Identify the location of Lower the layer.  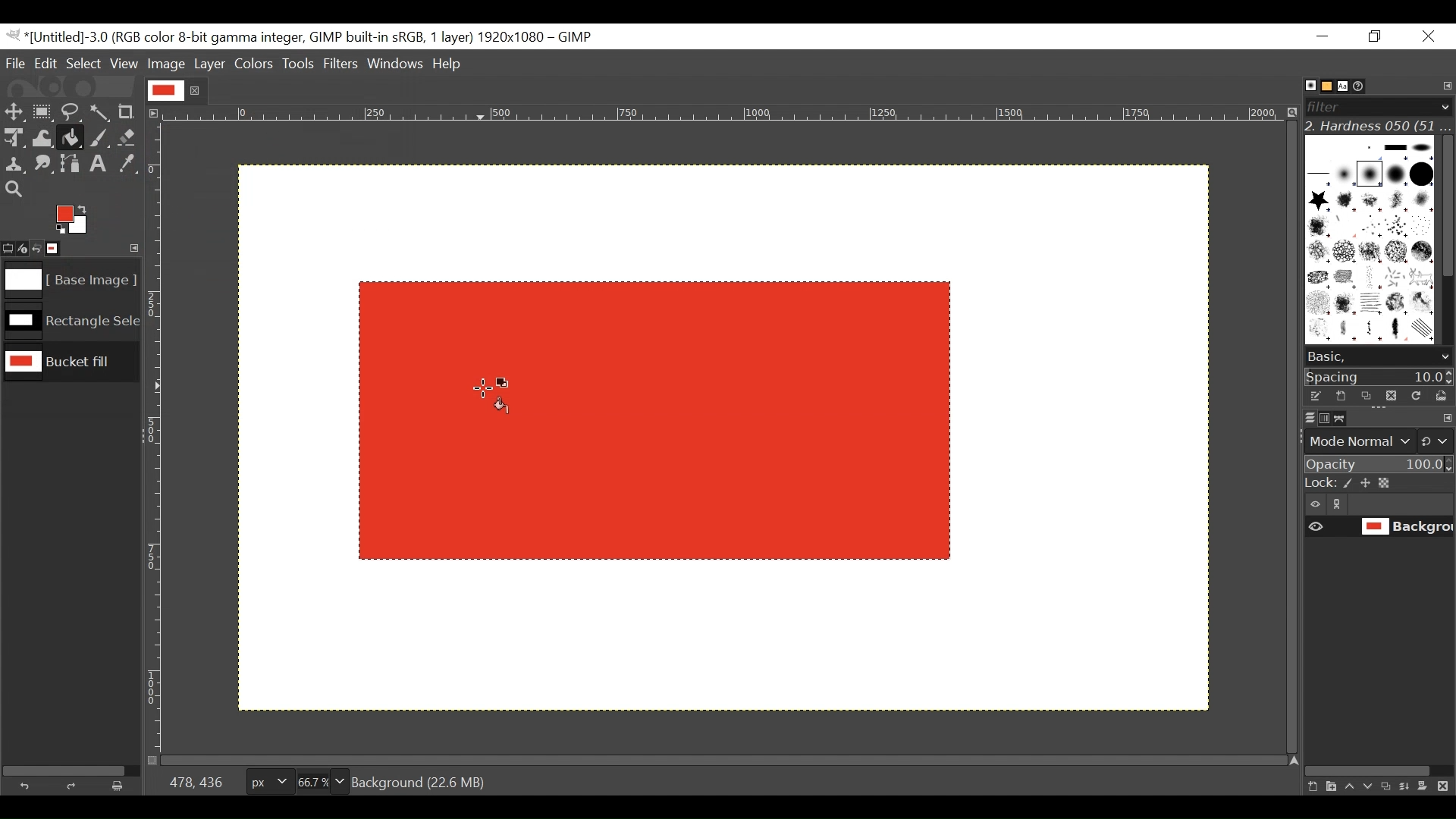
(1369, 785).